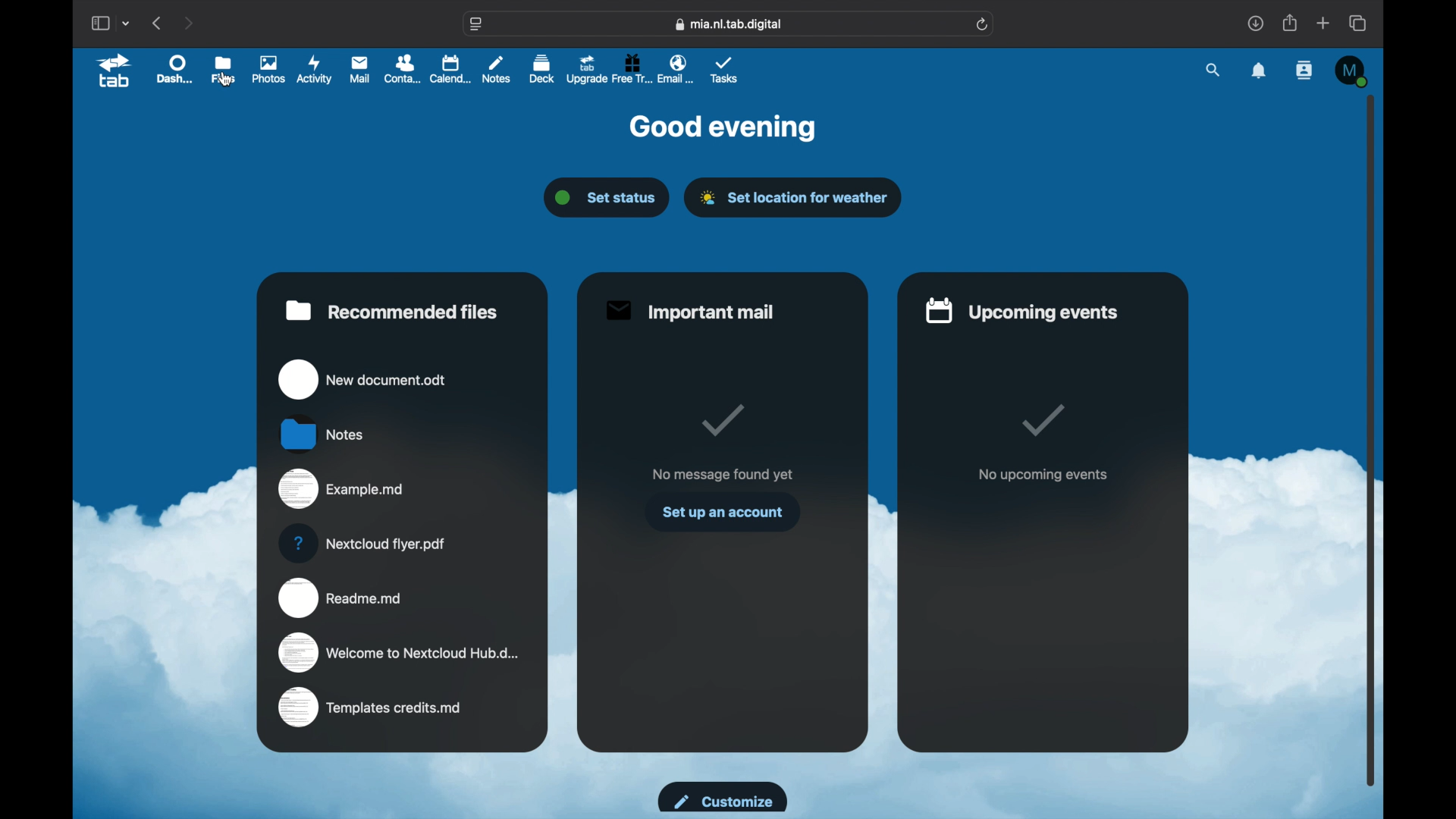  What do you see at coordinates (115, 71) in the screenshot?
I see `tab` at bounding box center [115, 71].